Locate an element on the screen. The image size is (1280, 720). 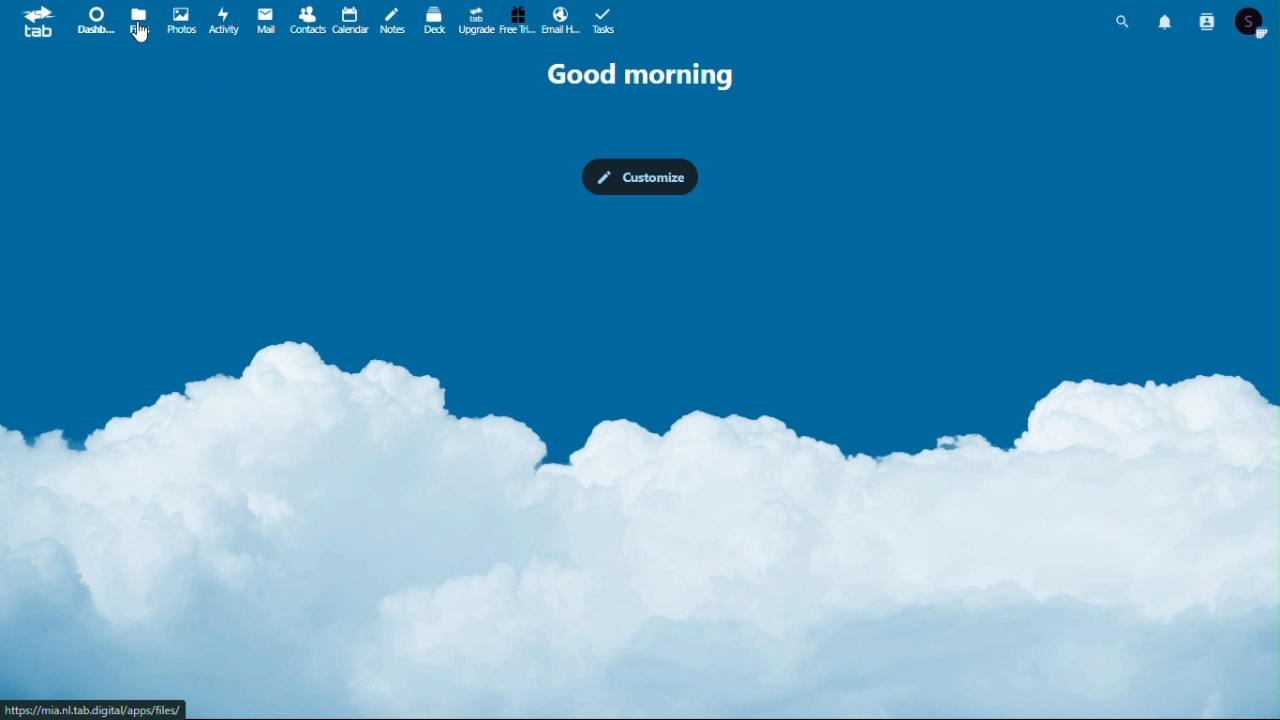
notes is located at coordinates (391, 20).